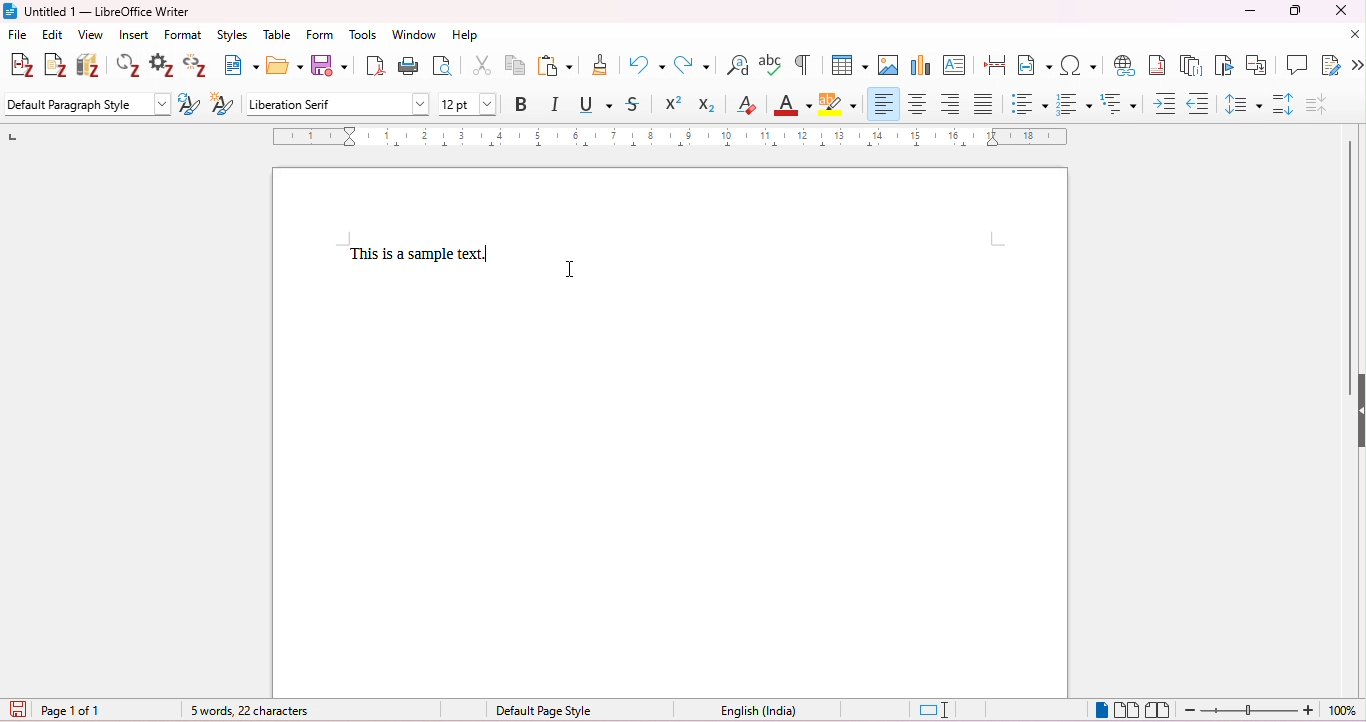 The width and height of the screenshot is (1366, 722). What do you see at coordinates (772, 63) in the screenshot?
I see `spelling` at bounding box center [772, 63].